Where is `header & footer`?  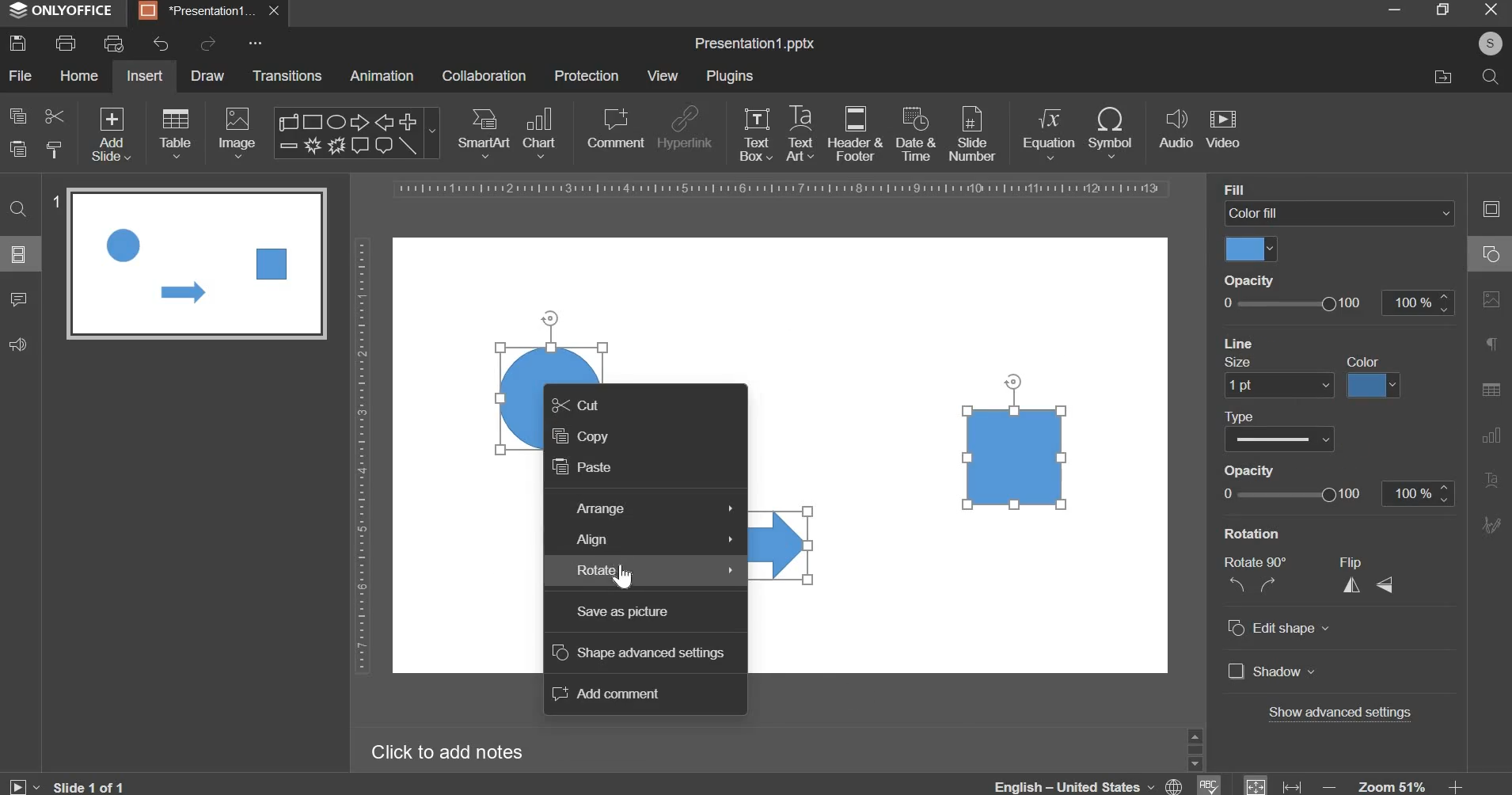 header & footer is located at coordinates (854, 133).